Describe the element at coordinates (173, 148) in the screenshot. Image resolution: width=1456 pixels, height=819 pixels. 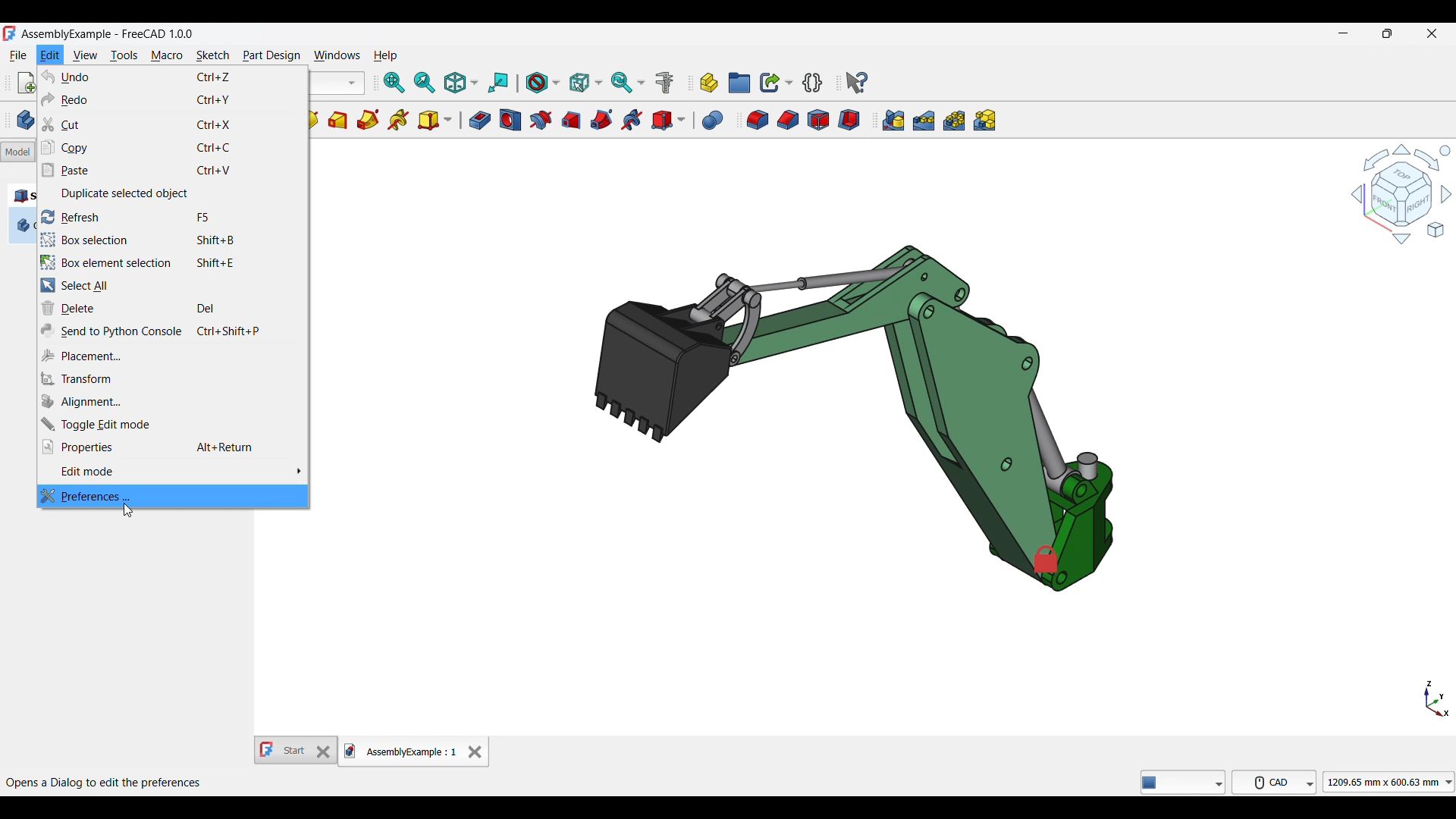
I see `Copy` at that location.